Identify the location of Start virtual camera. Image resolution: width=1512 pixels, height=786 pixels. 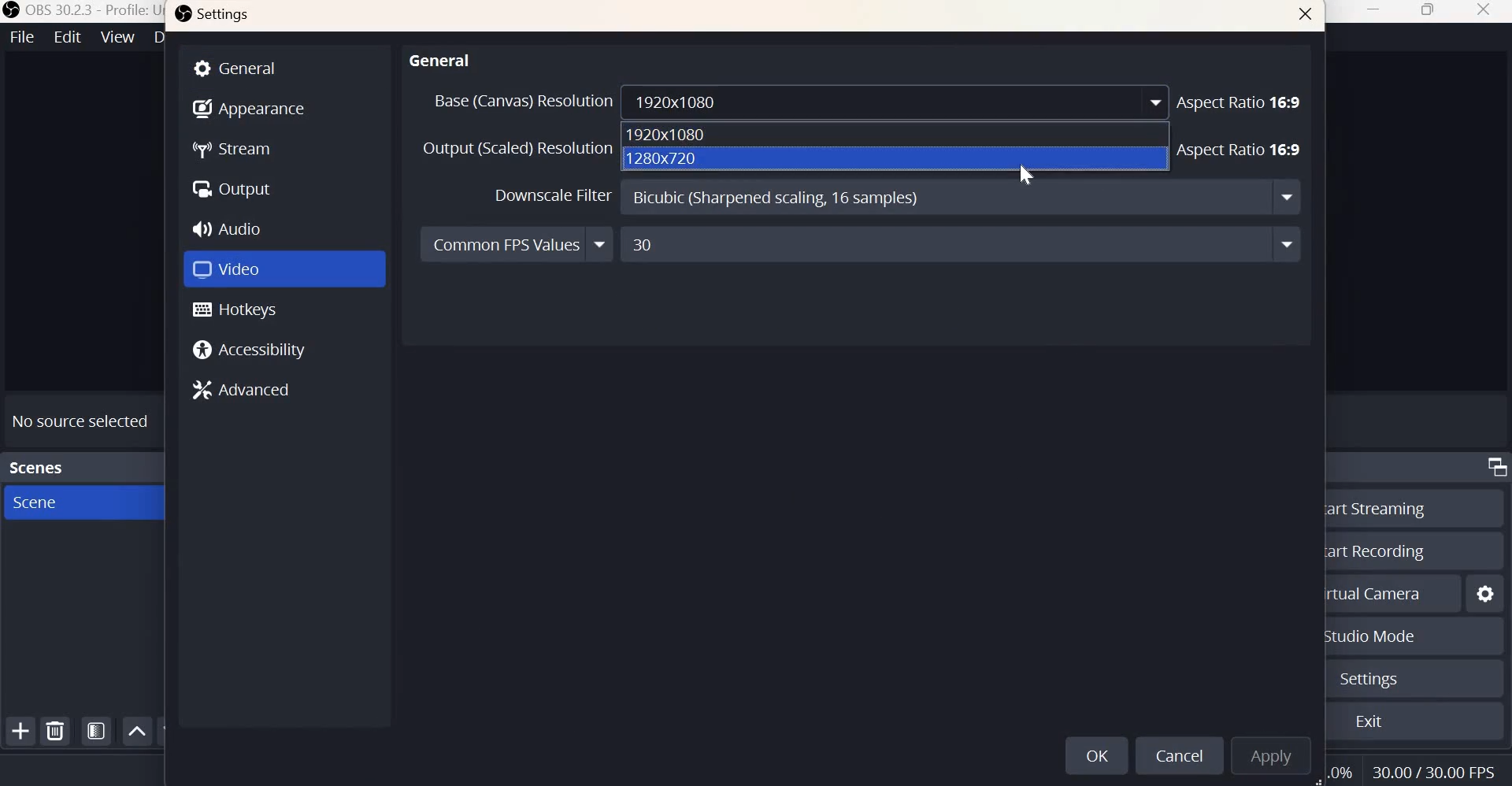
(1379, 591).